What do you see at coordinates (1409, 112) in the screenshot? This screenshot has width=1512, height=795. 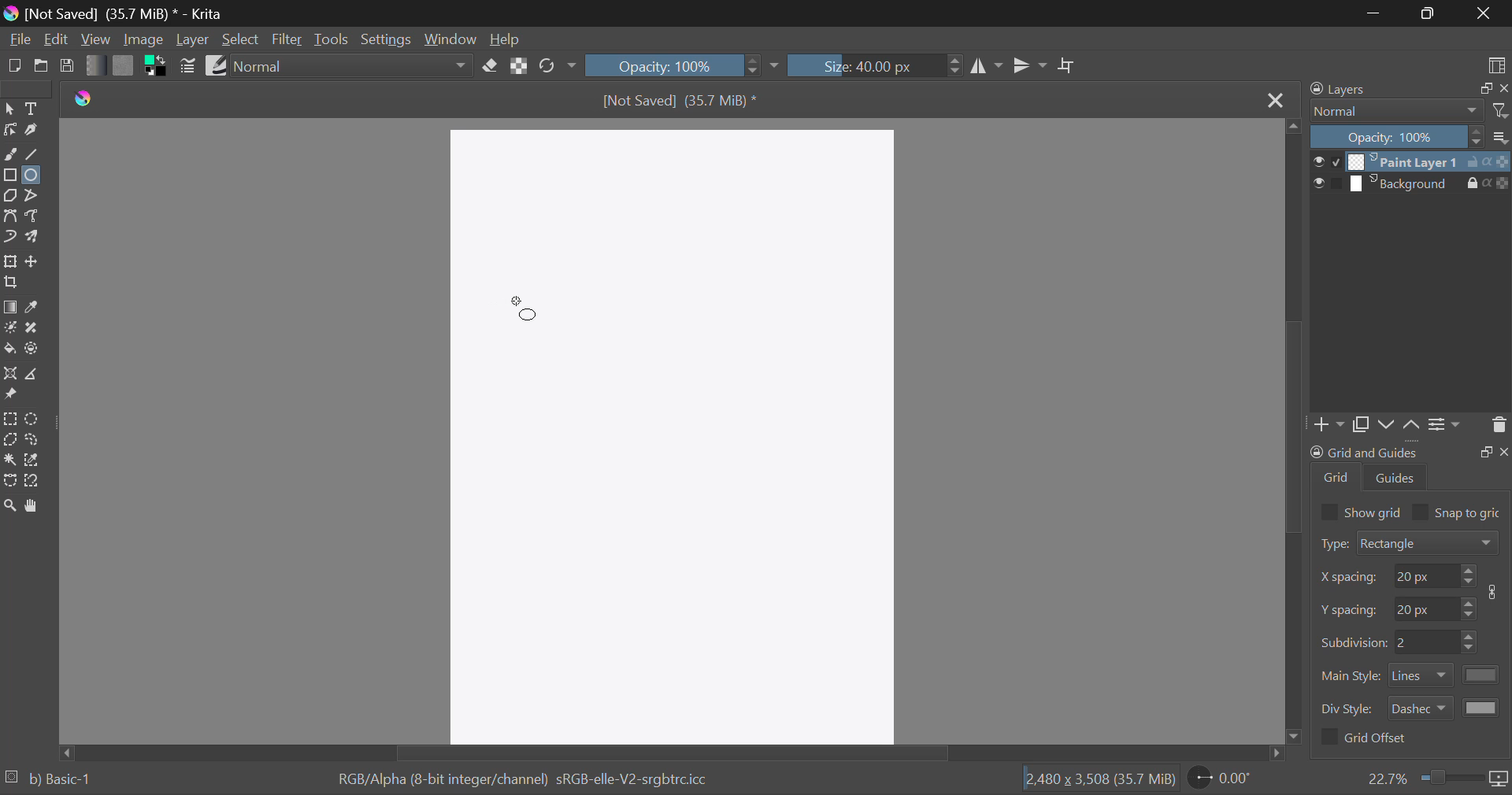 I see `Blending Modes` at bounding box center [1409, 112].